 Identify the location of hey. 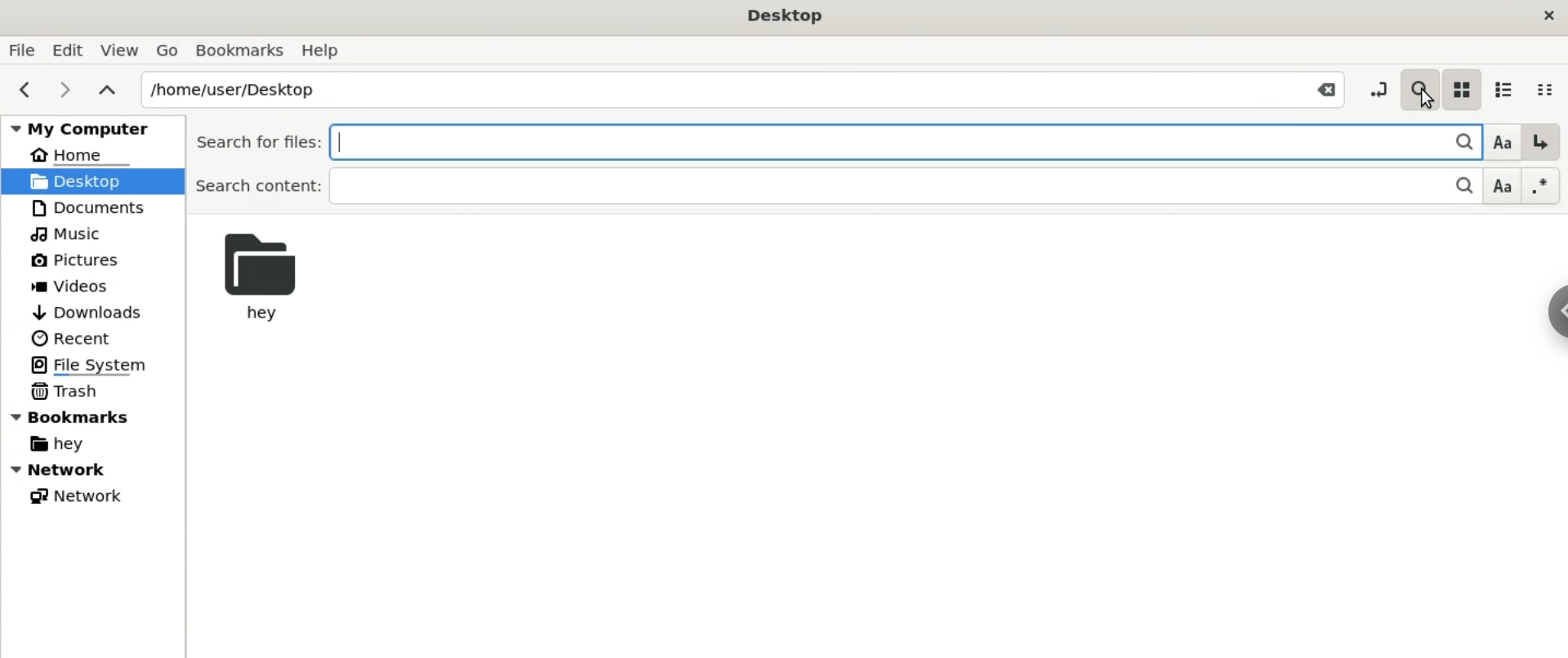
(265, 280).